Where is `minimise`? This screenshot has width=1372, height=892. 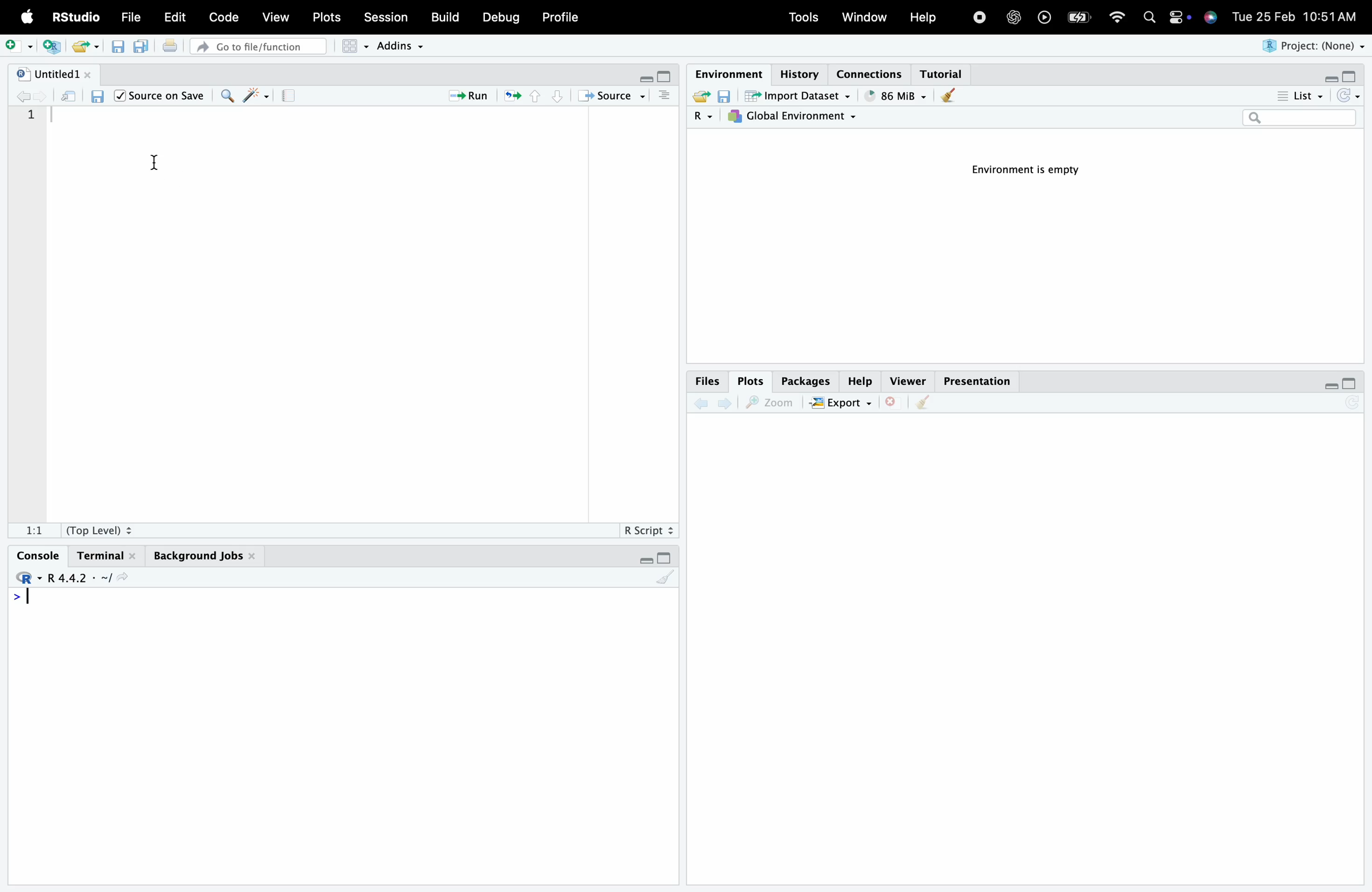 minimise is located at coordinates (1327, 385).